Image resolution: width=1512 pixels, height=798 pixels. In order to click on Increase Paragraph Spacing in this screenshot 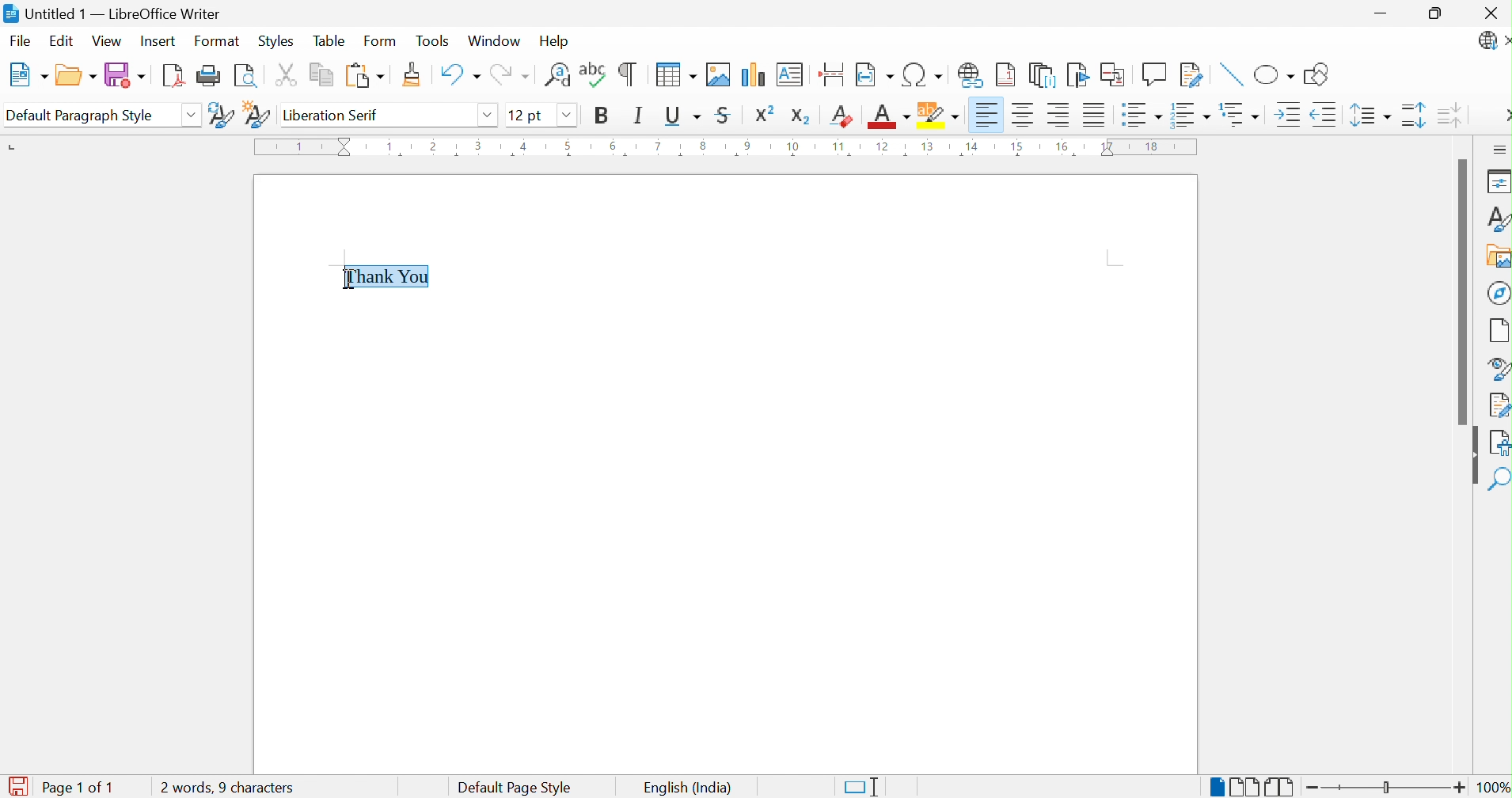, I will do `click(1413, 118)`.